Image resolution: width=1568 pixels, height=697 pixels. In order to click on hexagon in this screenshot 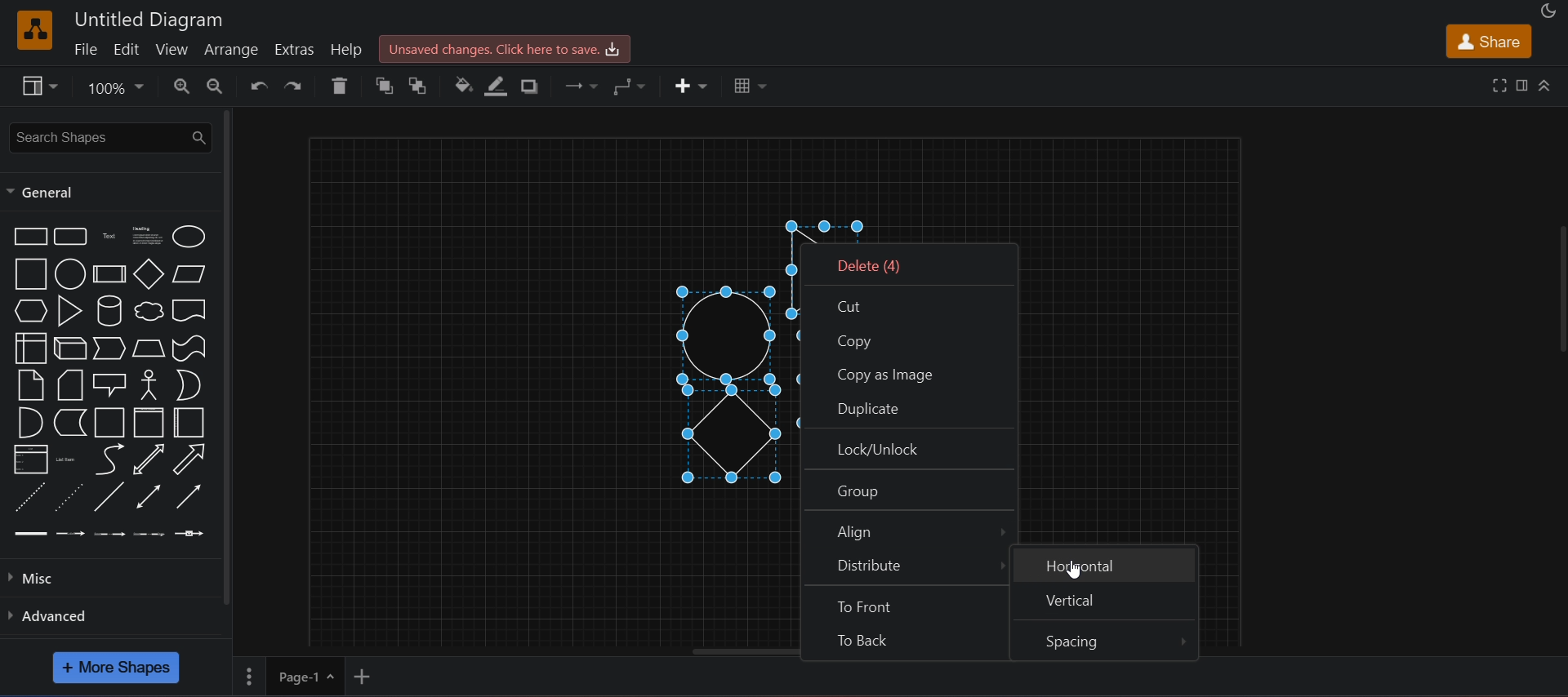, I will do `click(28, 311)`.